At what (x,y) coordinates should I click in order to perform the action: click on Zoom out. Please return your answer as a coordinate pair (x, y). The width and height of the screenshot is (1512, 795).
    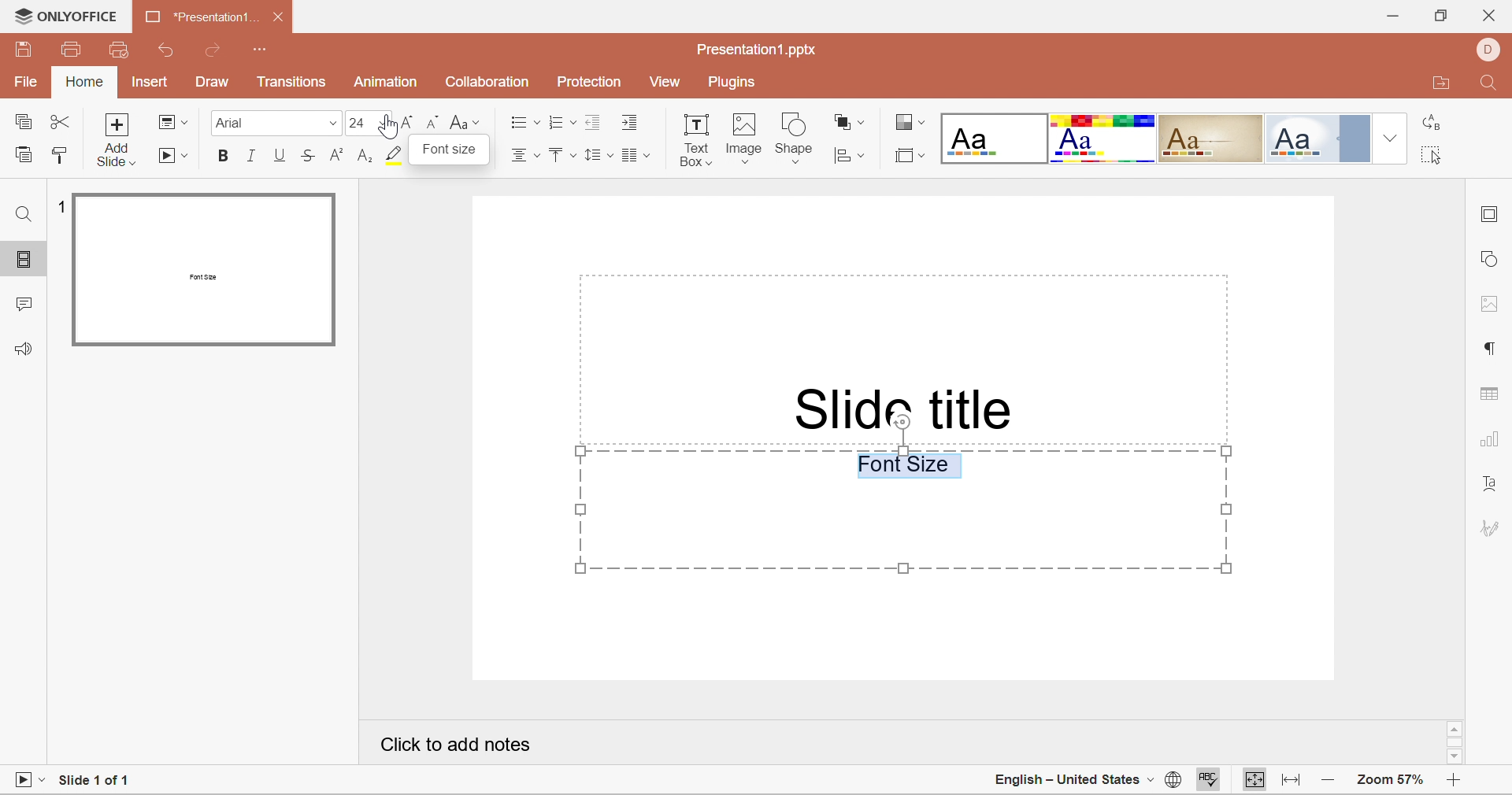
    Looking at the image, I should click on (1334, 782).